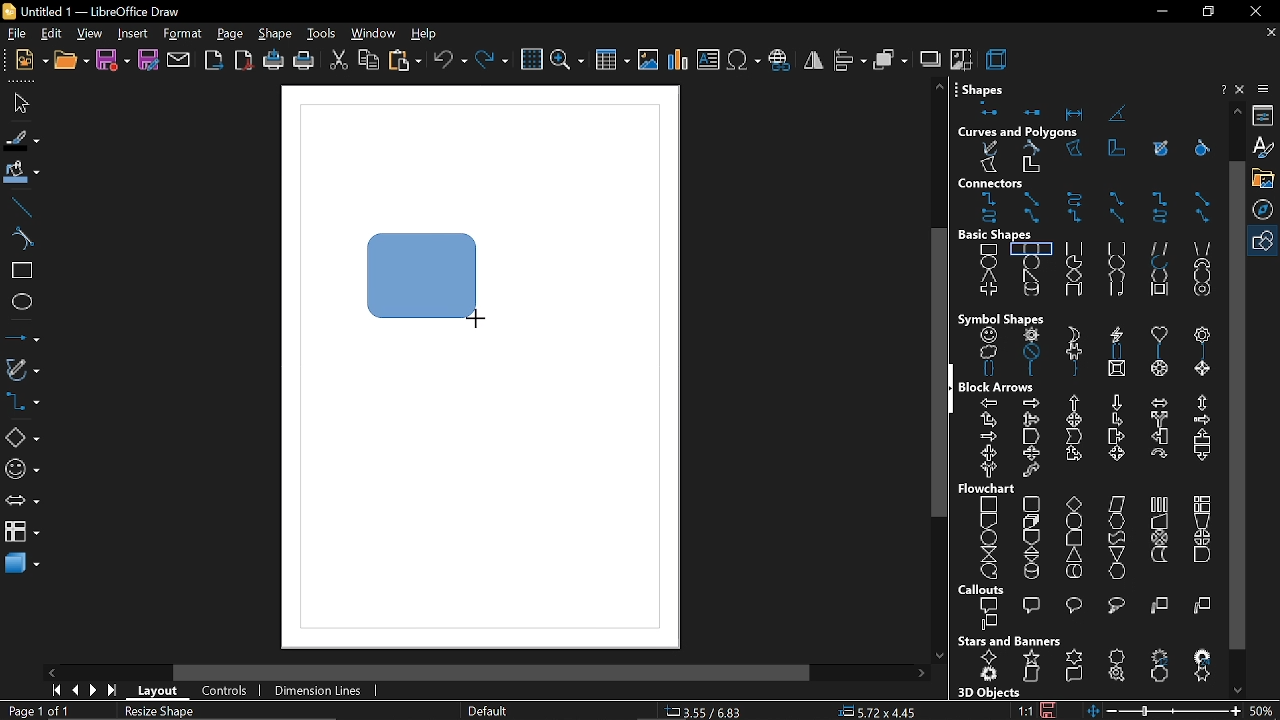 The width and height of the screenshot is (1280, 720). I want to click on zoom, so click(566, 62).